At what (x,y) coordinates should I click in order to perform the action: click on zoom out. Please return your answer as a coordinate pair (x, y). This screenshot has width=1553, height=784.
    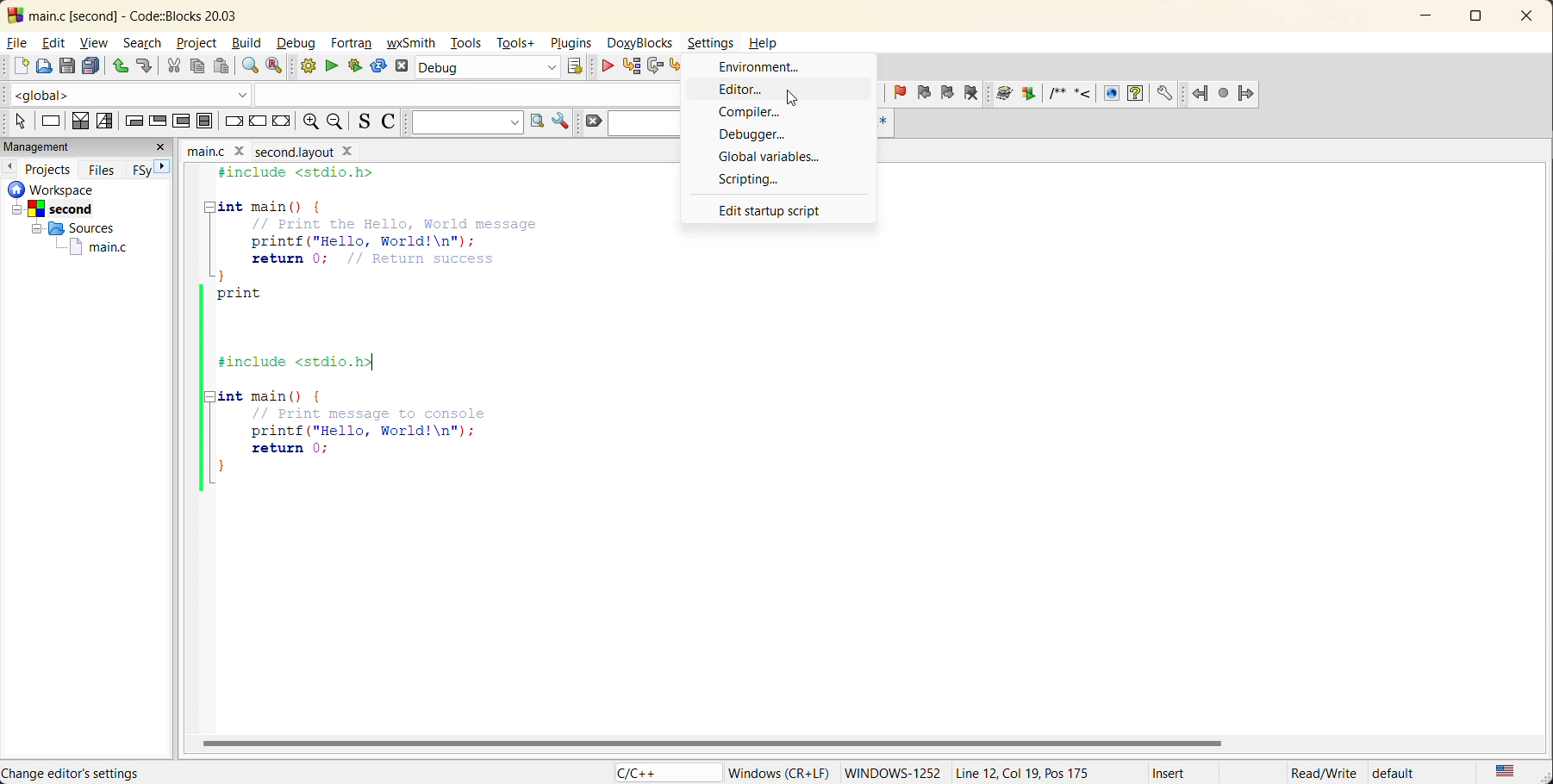
    Looking at the image, I should click on (338, 121).